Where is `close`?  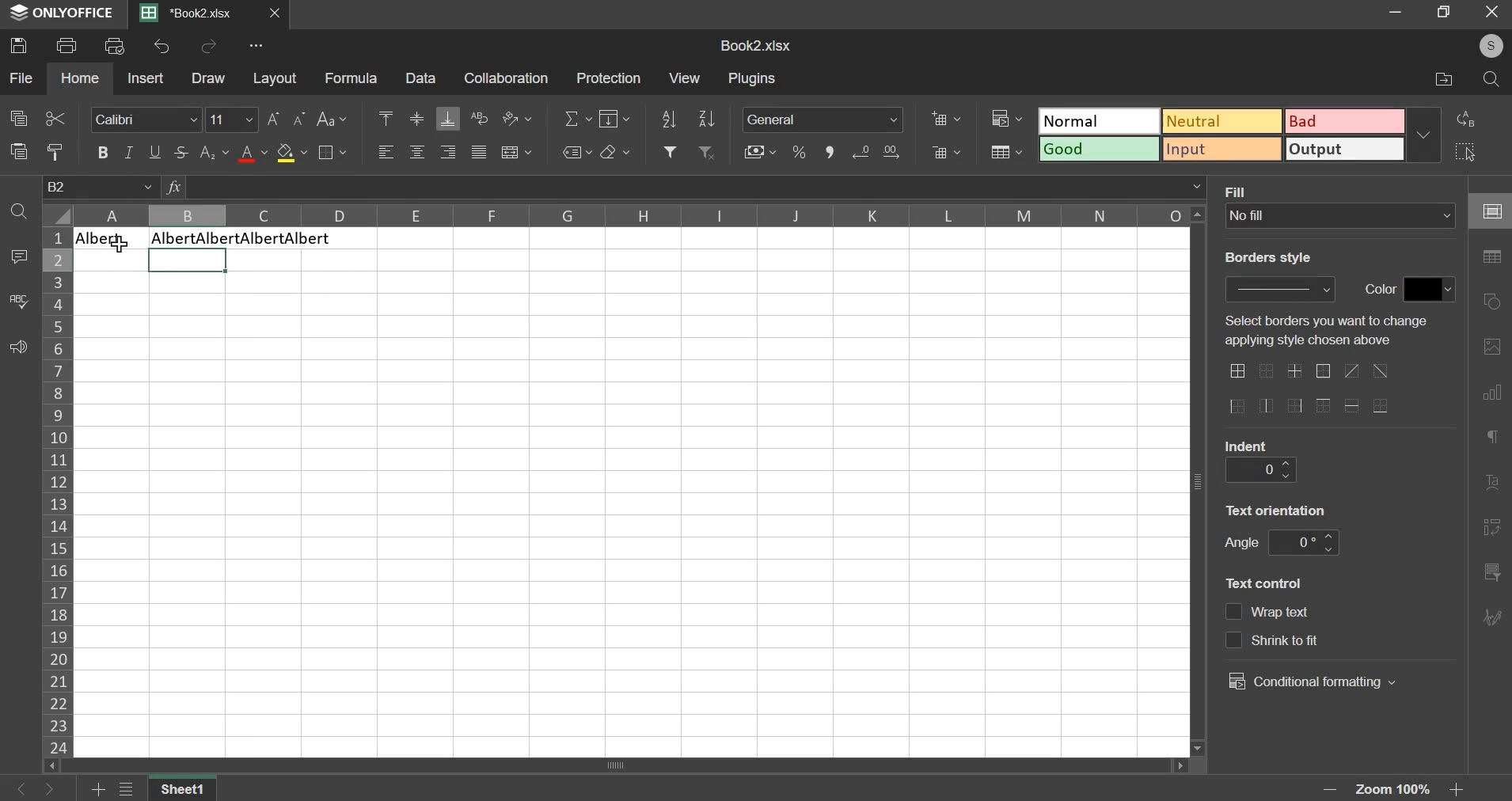 close is located at coordinates (277, 13).